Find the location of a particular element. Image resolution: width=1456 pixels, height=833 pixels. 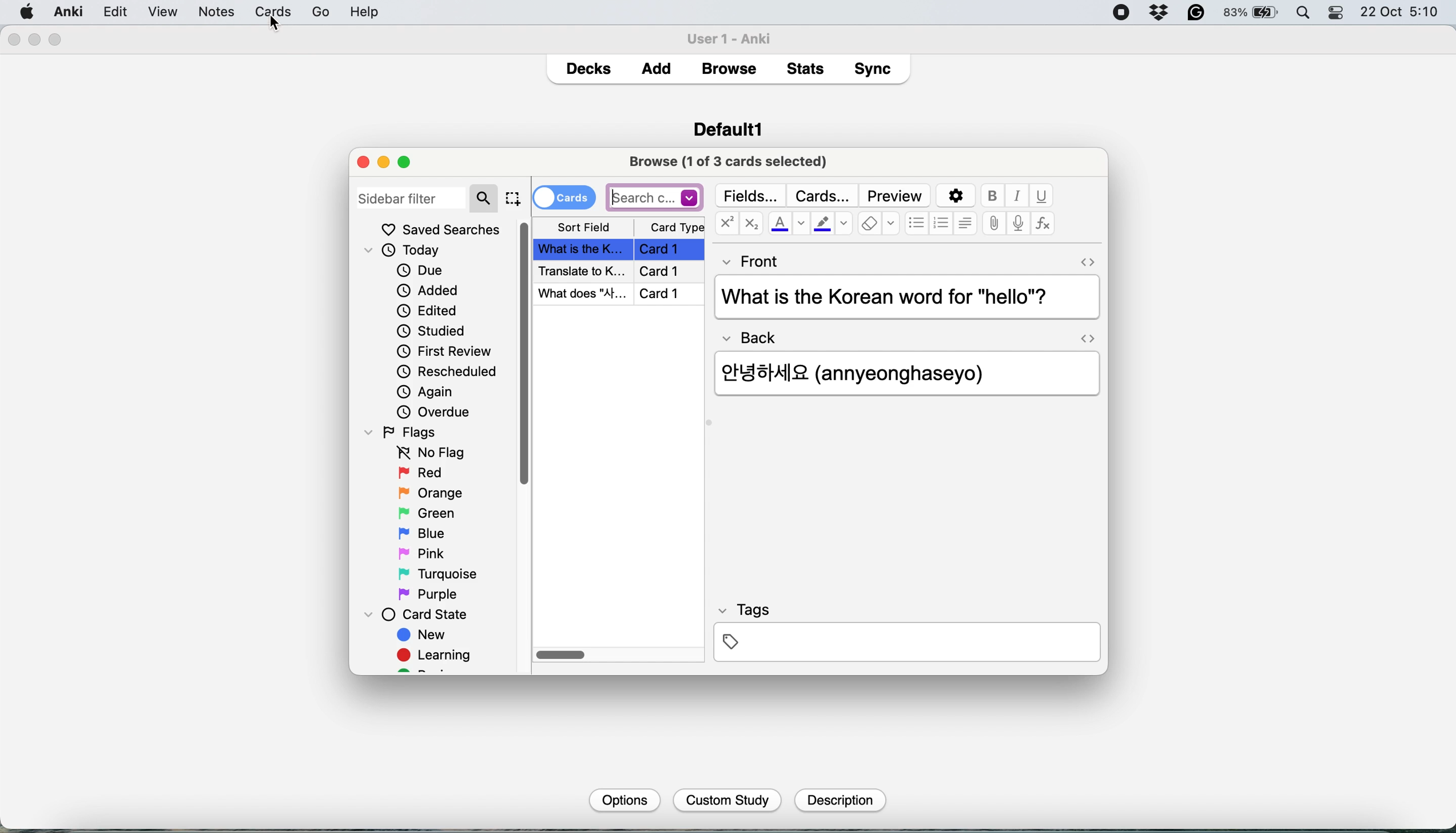

screen recorder is located at coordinates (1121, 14).